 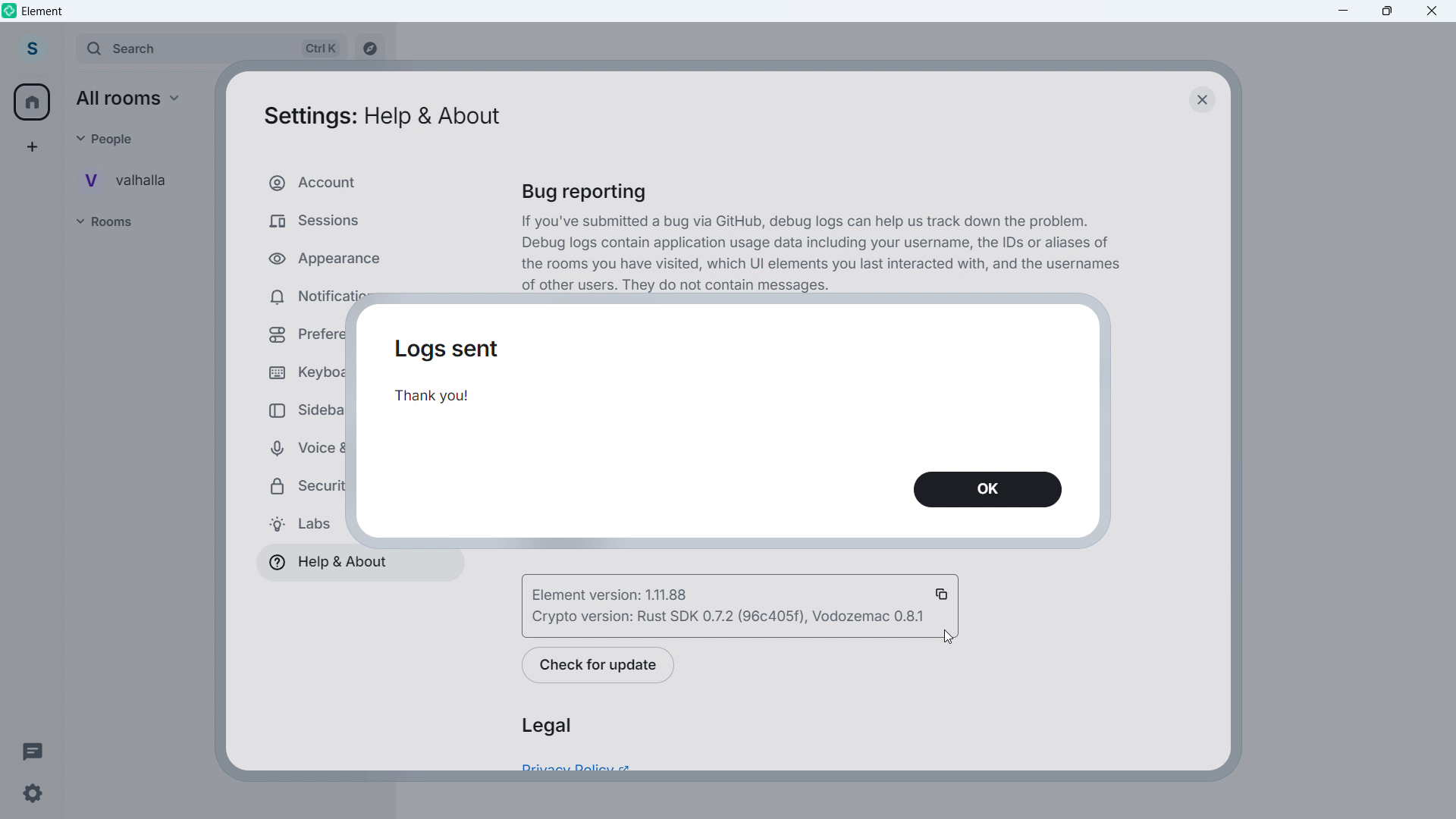 What do you see at coordinates (350, 219) in the screenshot?
I see `Sessions ` at bounding box center [350, 219].